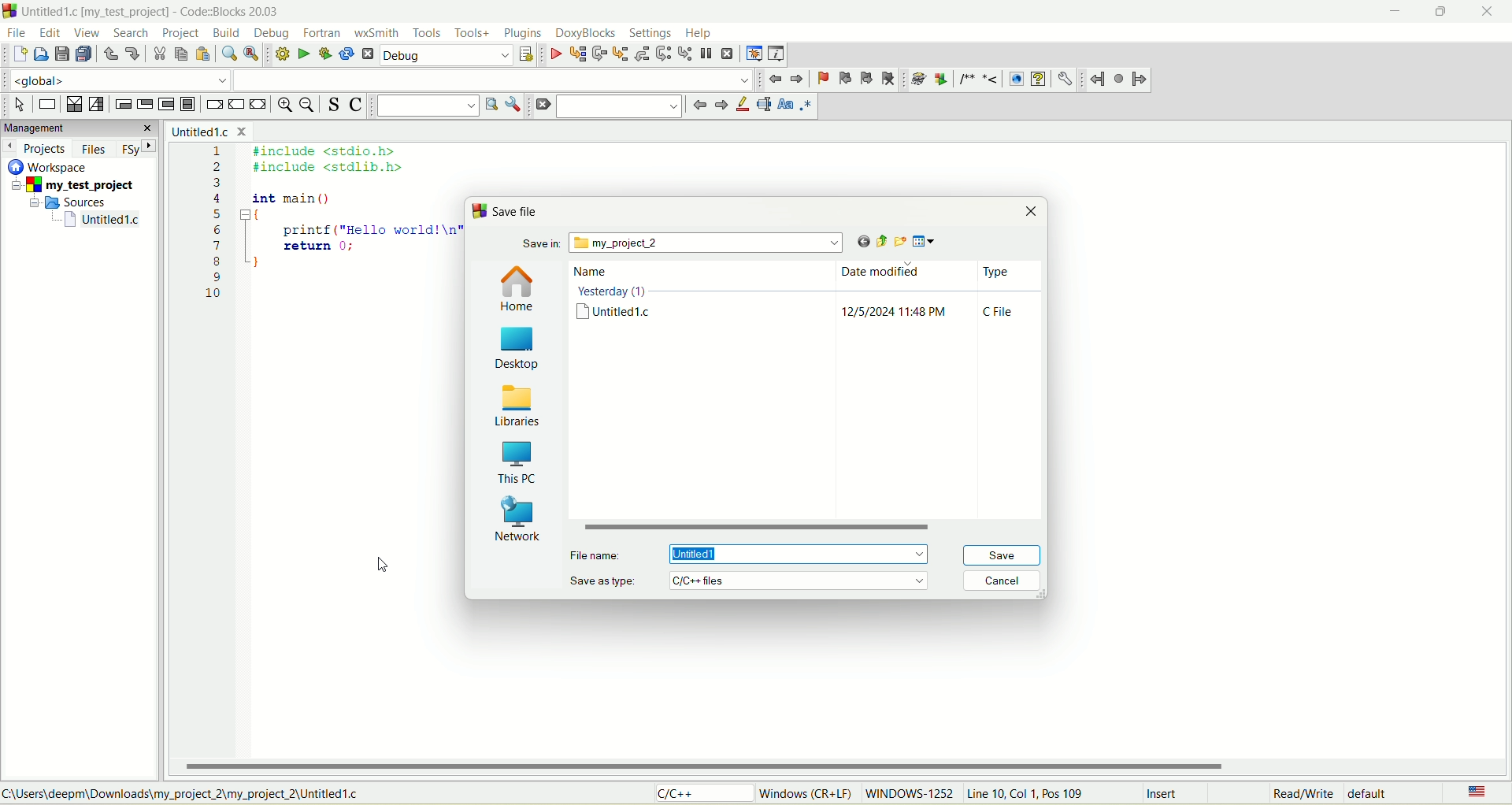  Describe the element at coordinates (867, 79) in the screenshot. I see `next bookmark` at that location.